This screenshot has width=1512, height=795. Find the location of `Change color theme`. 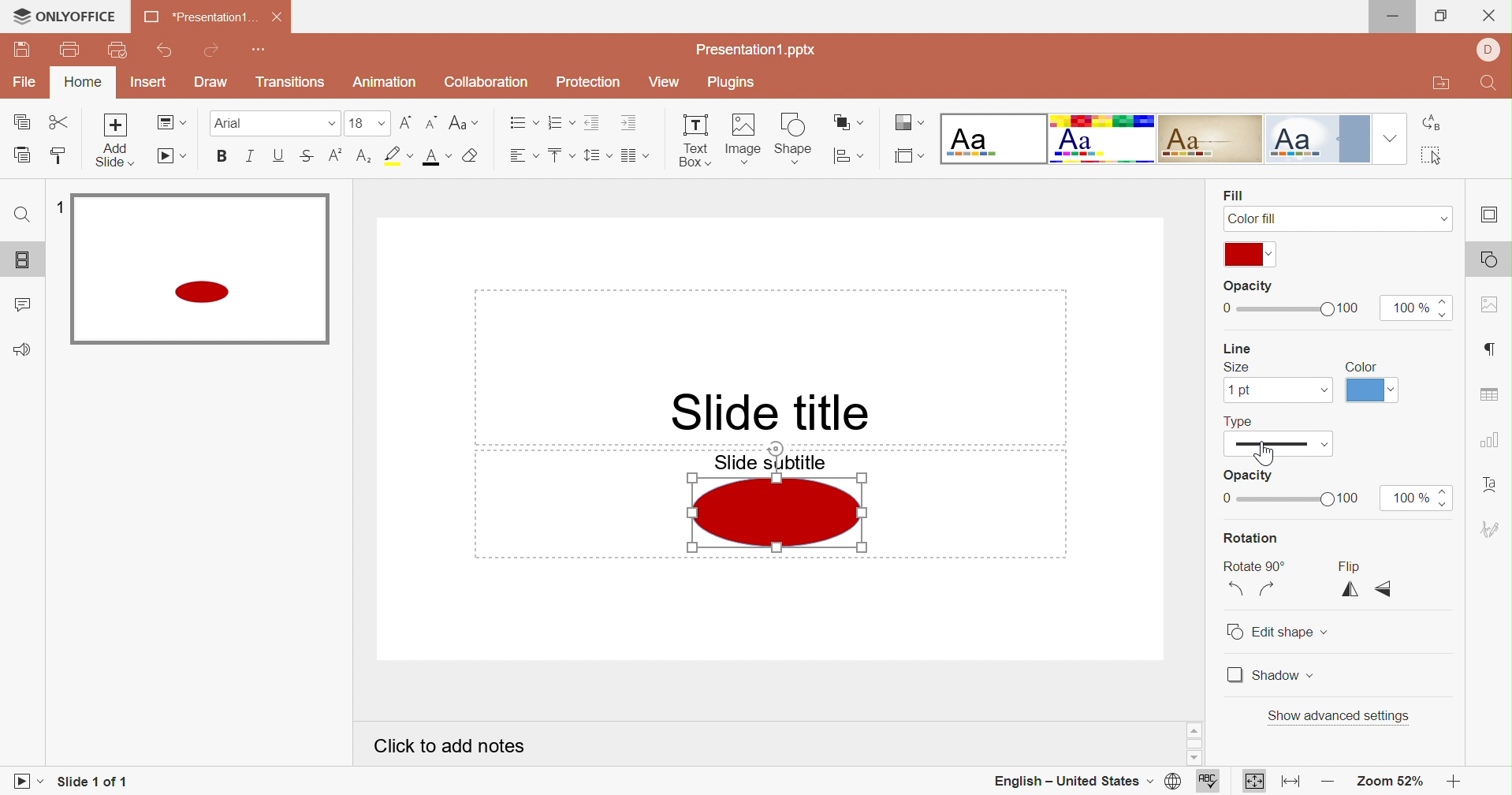

Change color theme is located at coordinates (907, 122).